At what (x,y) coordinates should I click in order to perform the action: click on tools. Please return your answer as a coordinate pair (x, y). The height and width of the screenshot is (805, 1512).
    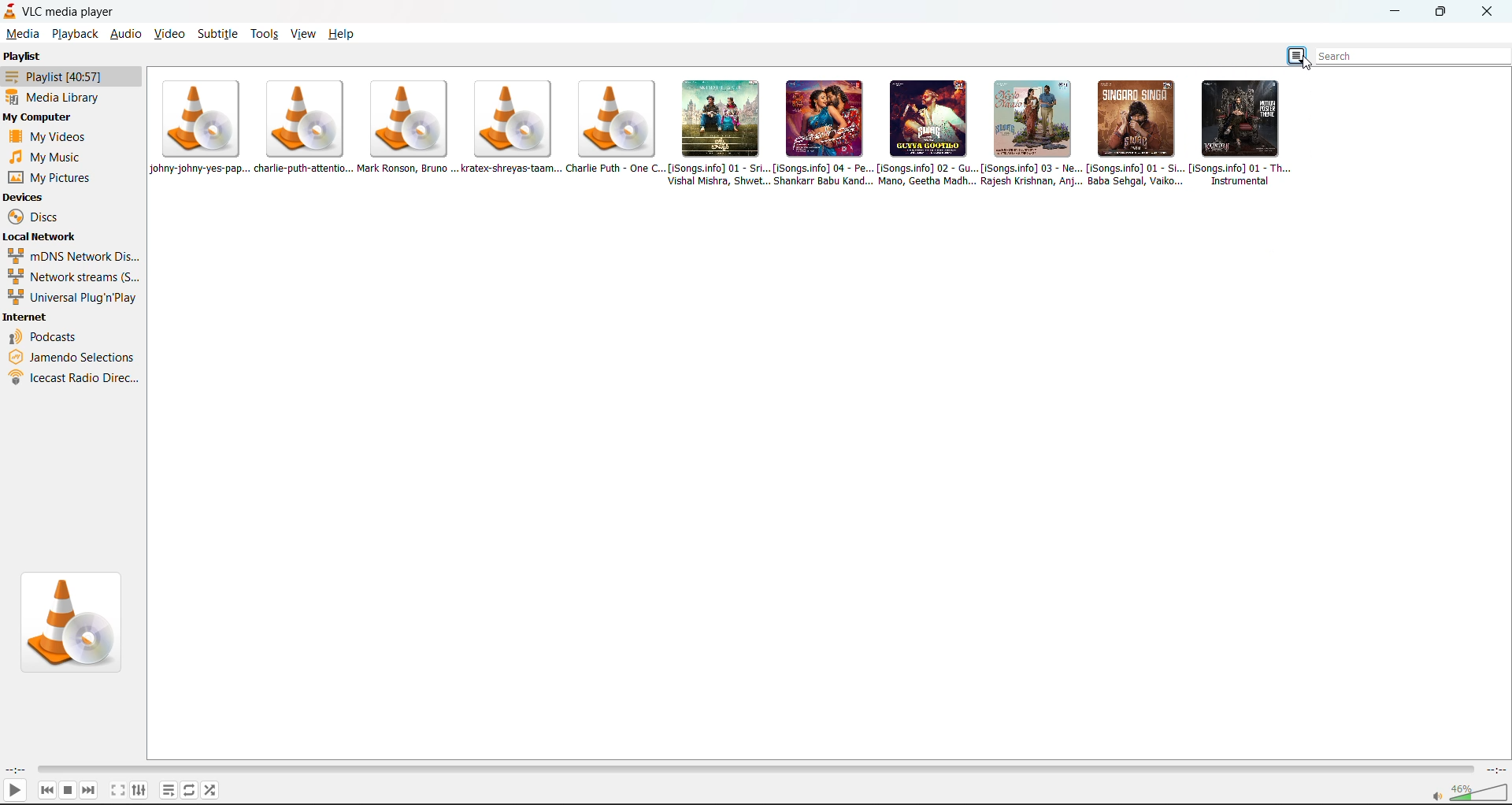
    Looking at the image, I should click on (265, 35).